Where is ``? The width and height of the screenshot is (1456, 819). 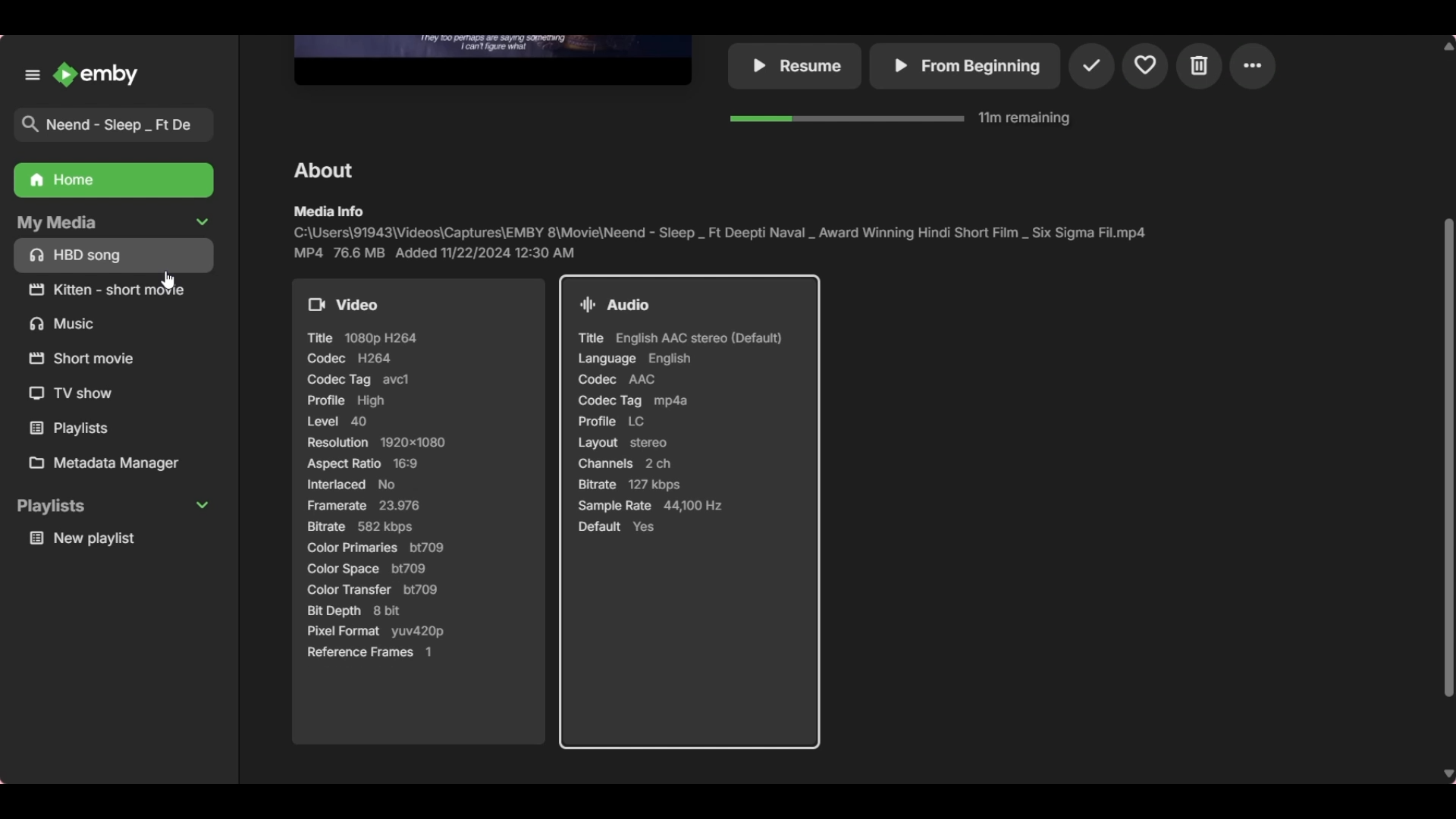  is located at coordinates (1442, 370).